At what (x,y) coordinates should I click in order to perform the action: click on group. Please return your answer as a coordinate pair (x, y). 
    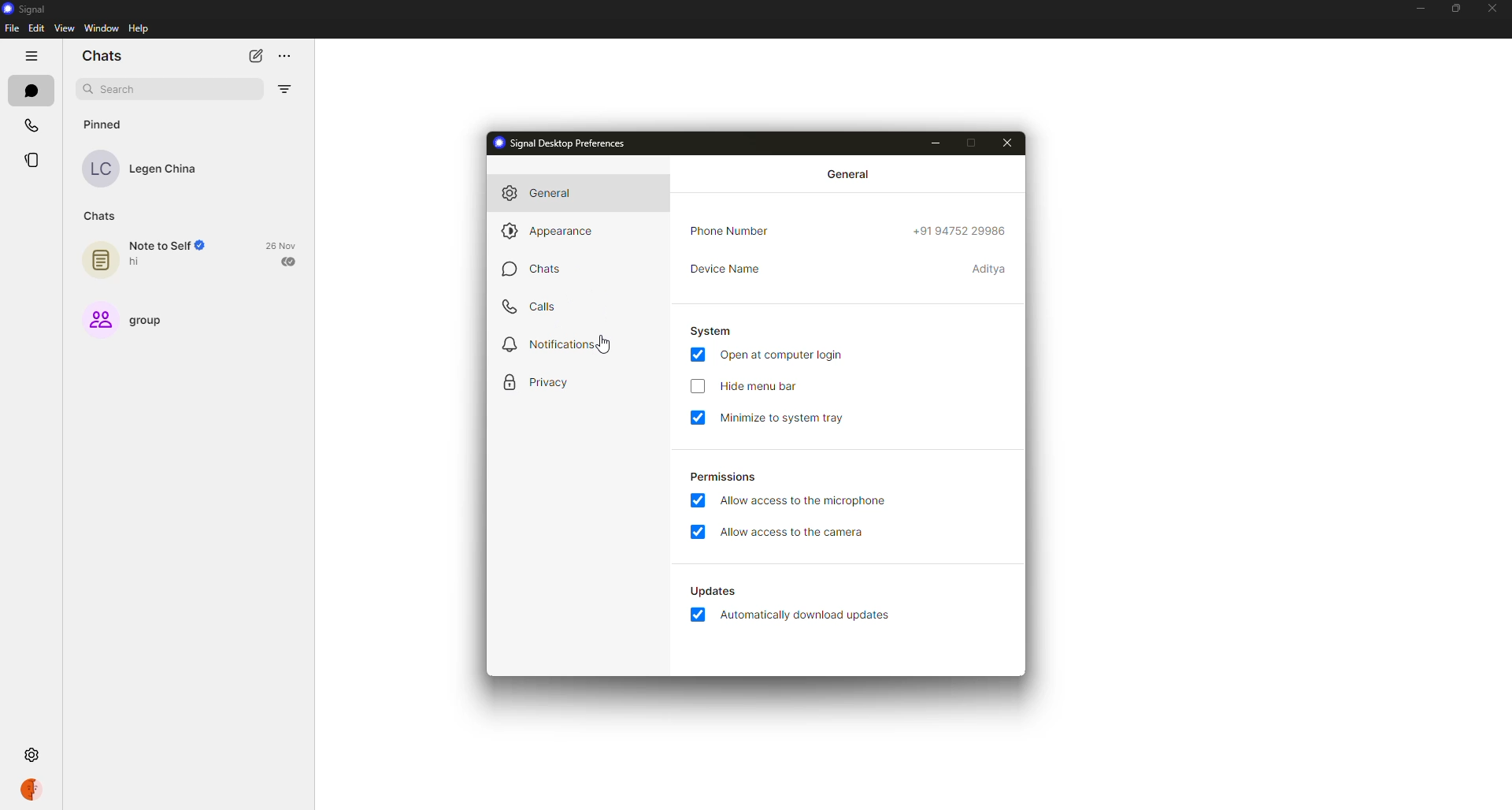
    Looking at the image, I should click on (129, 319).